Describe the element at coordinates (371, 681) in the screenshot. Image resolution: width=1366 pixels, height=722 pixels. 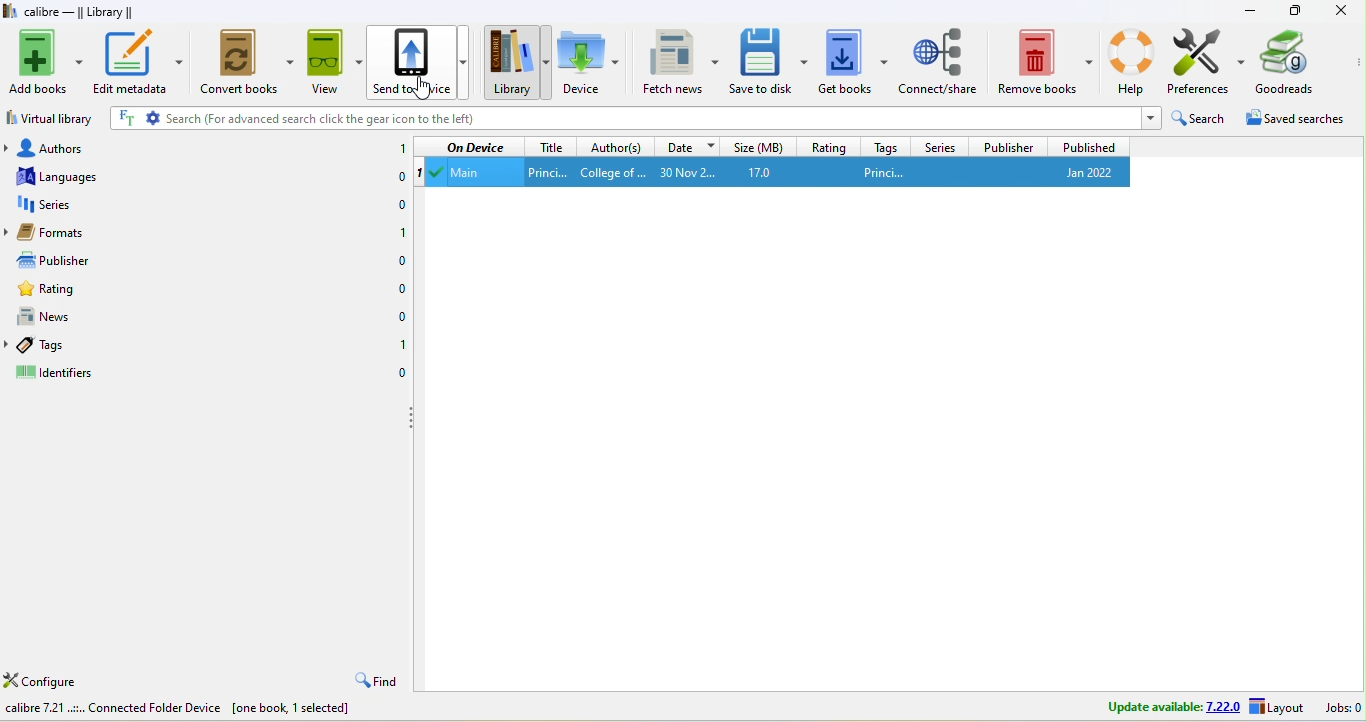
I see `find` at that location.